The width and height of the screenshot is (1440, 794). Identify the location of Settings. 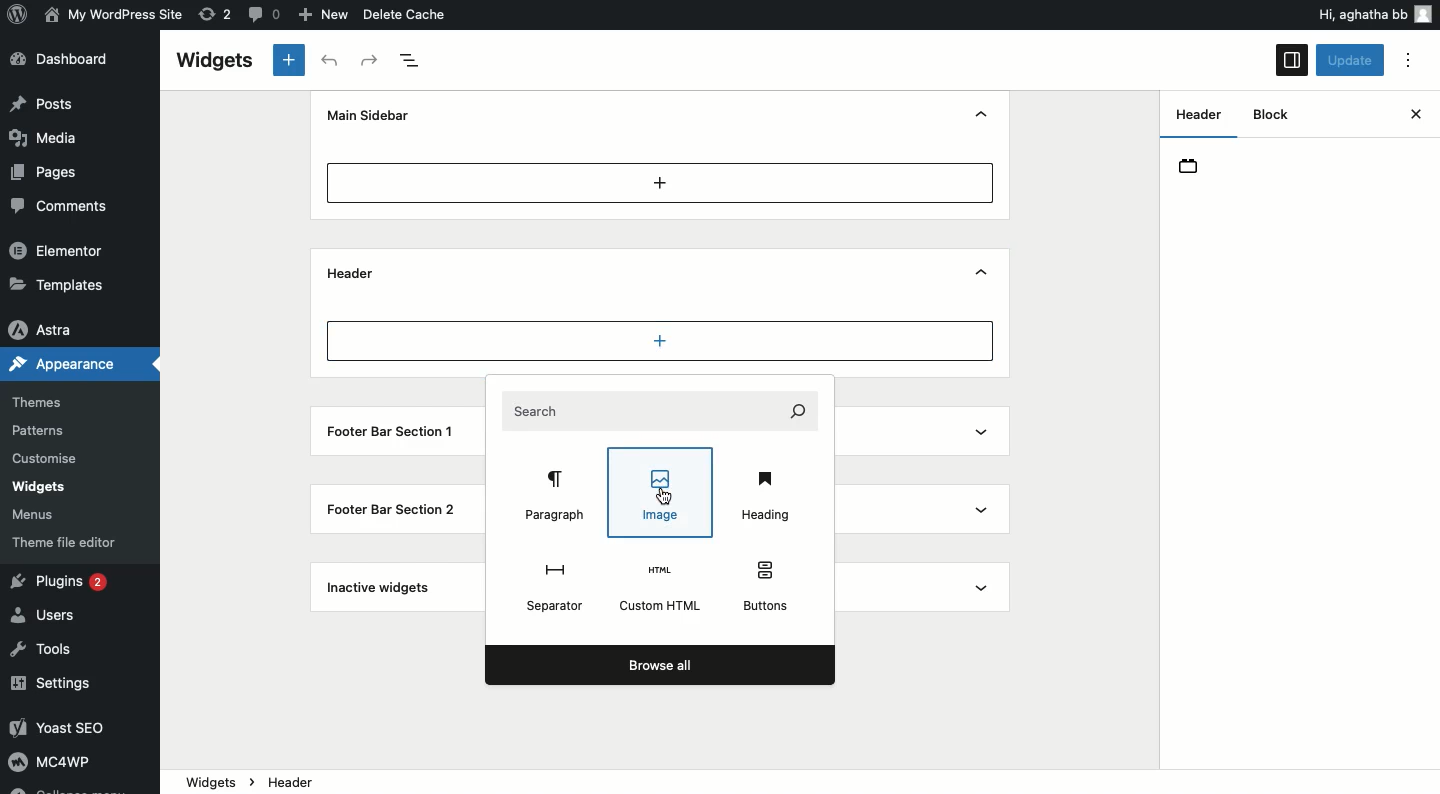
(53, 685).